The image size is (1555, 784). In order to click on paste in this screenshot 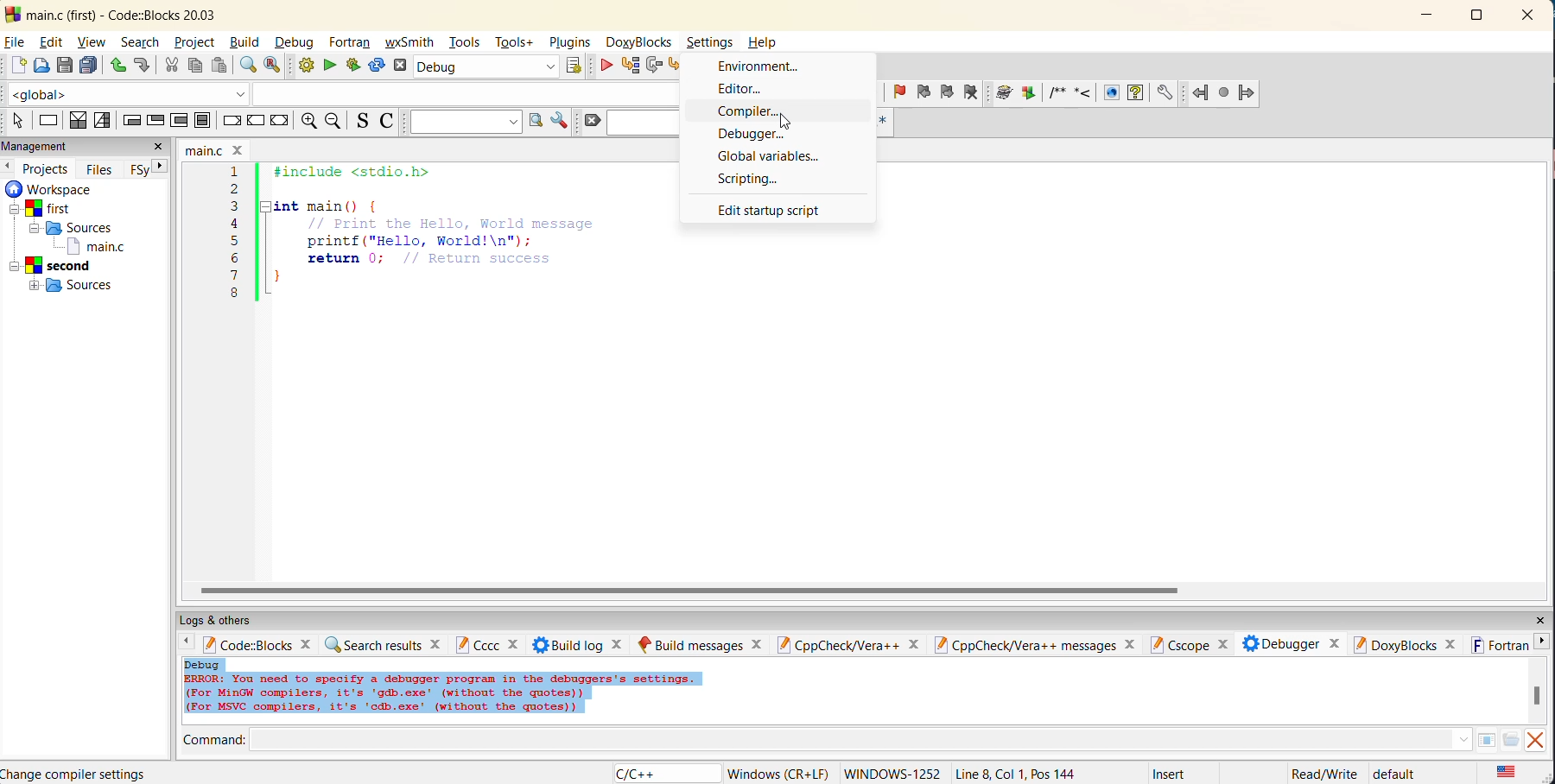, I will do `click(220, 66)`.